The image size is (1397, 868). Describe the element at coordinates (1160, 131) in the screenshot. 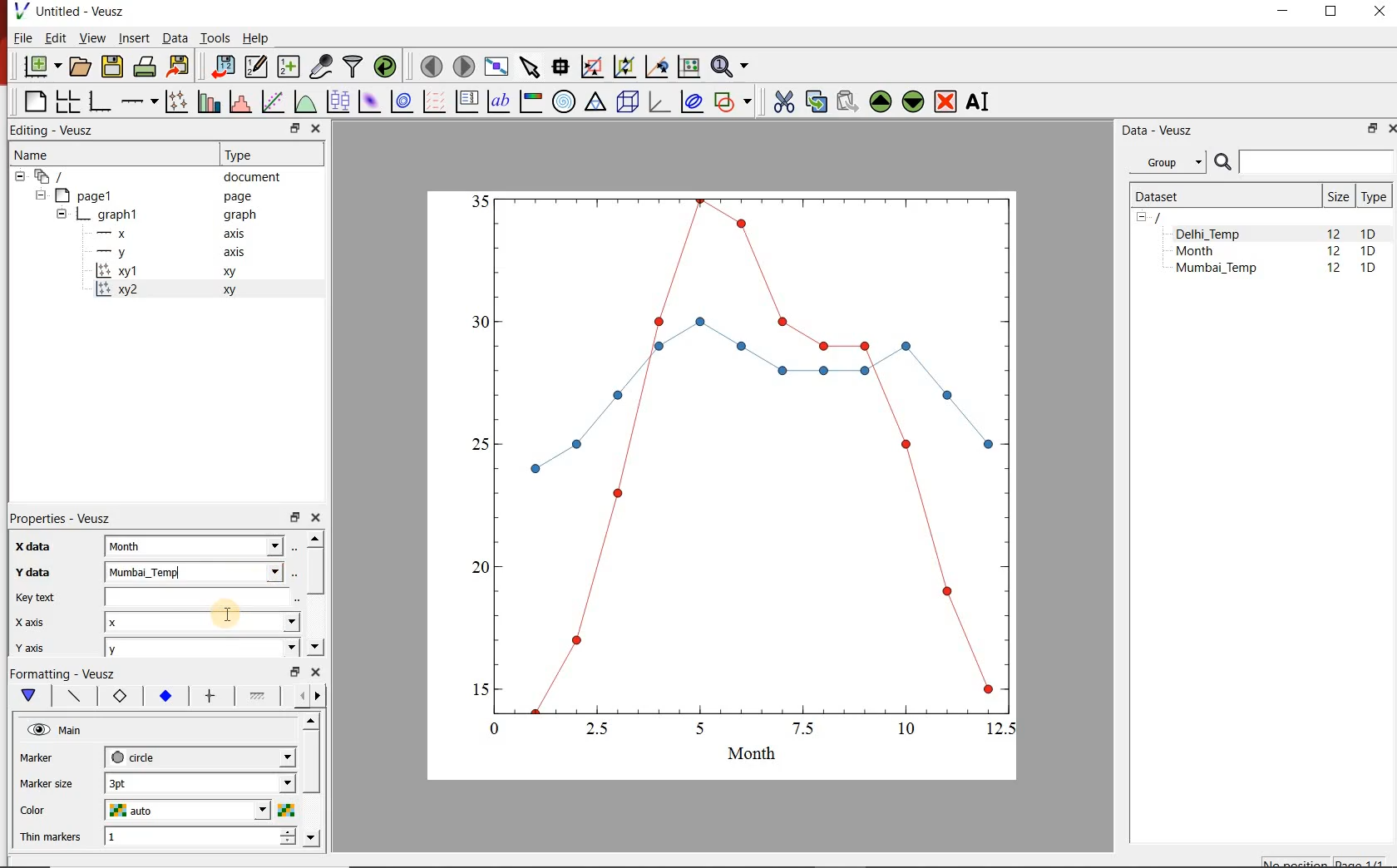

I see `Data - Veusz` at that location.